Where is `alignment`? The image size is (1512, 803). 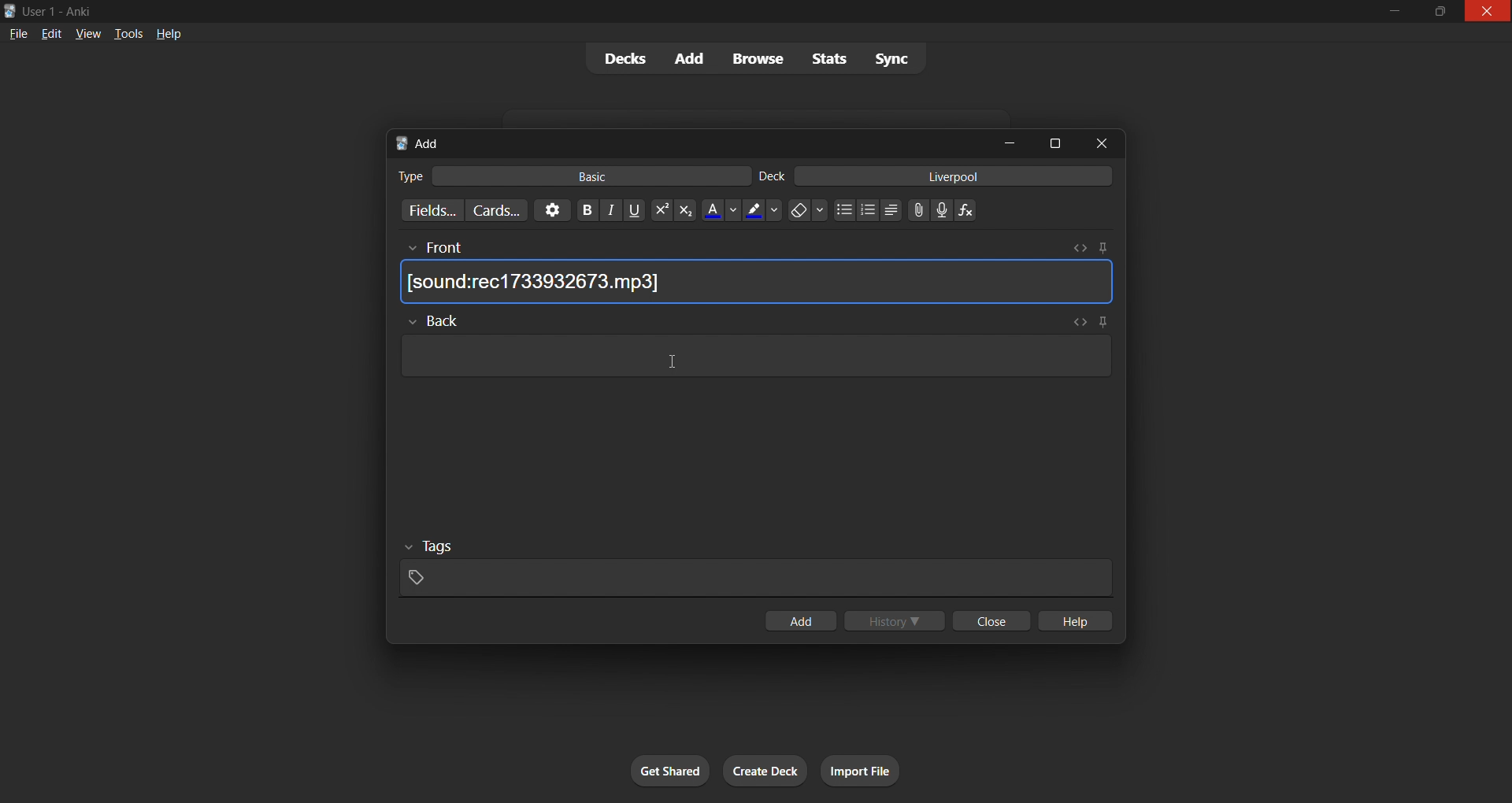 alignment is located at coordinates (893, 209).